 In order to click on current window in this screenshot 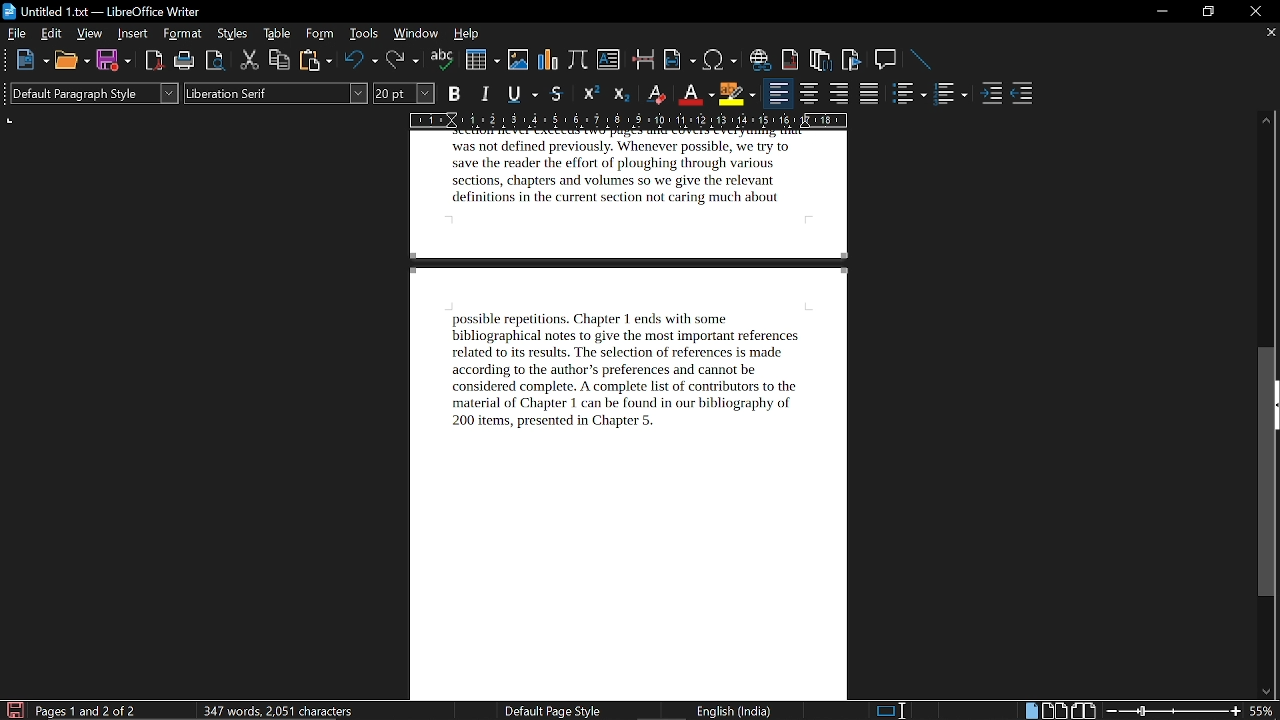, I will do `click(102, 11)`.